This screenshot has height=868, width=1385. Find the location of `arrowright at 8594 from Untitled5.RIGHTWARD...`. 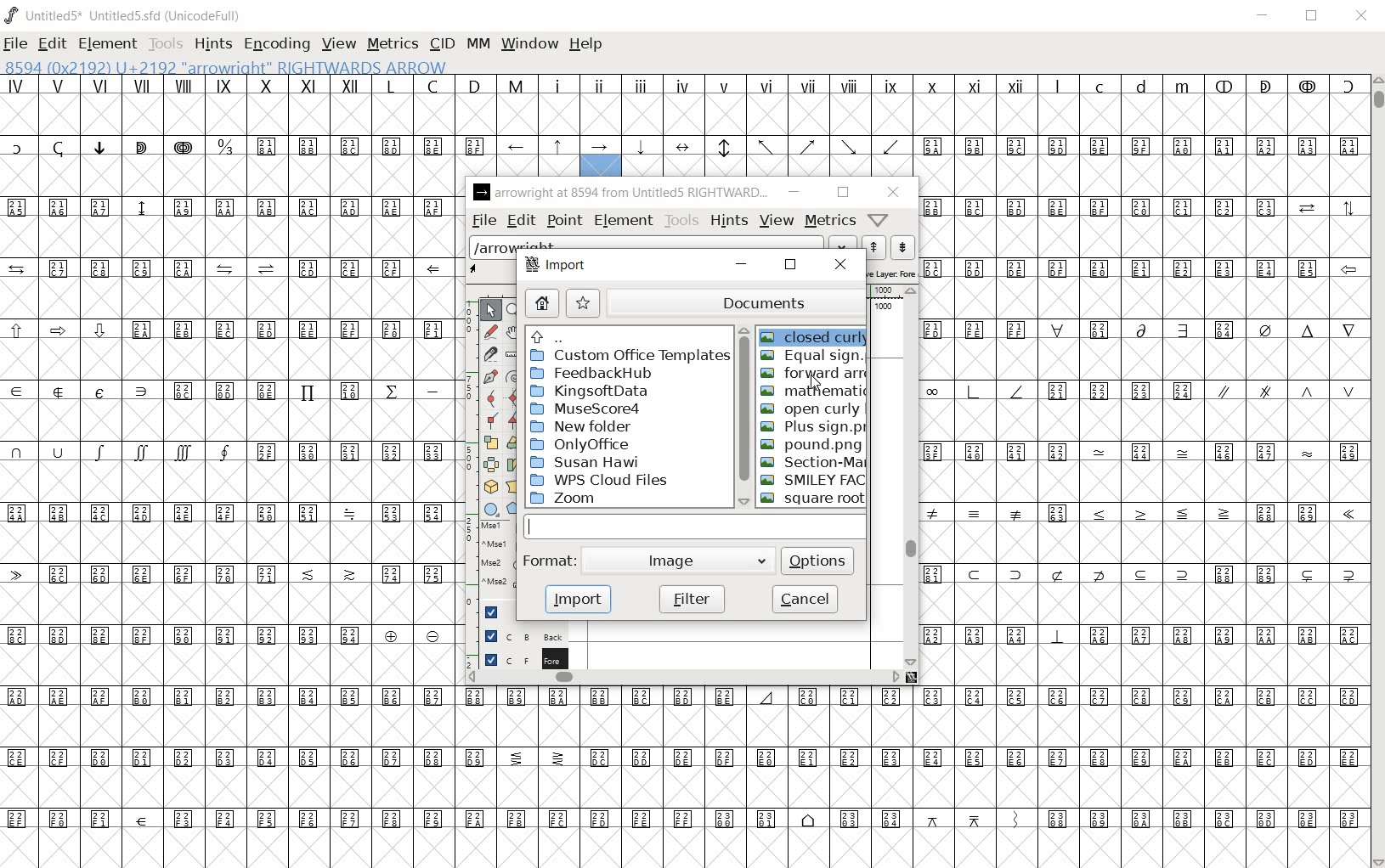

arrowright at 8594 from Untitled5.RIGHTWARD... is located at coordinates (620, 193).